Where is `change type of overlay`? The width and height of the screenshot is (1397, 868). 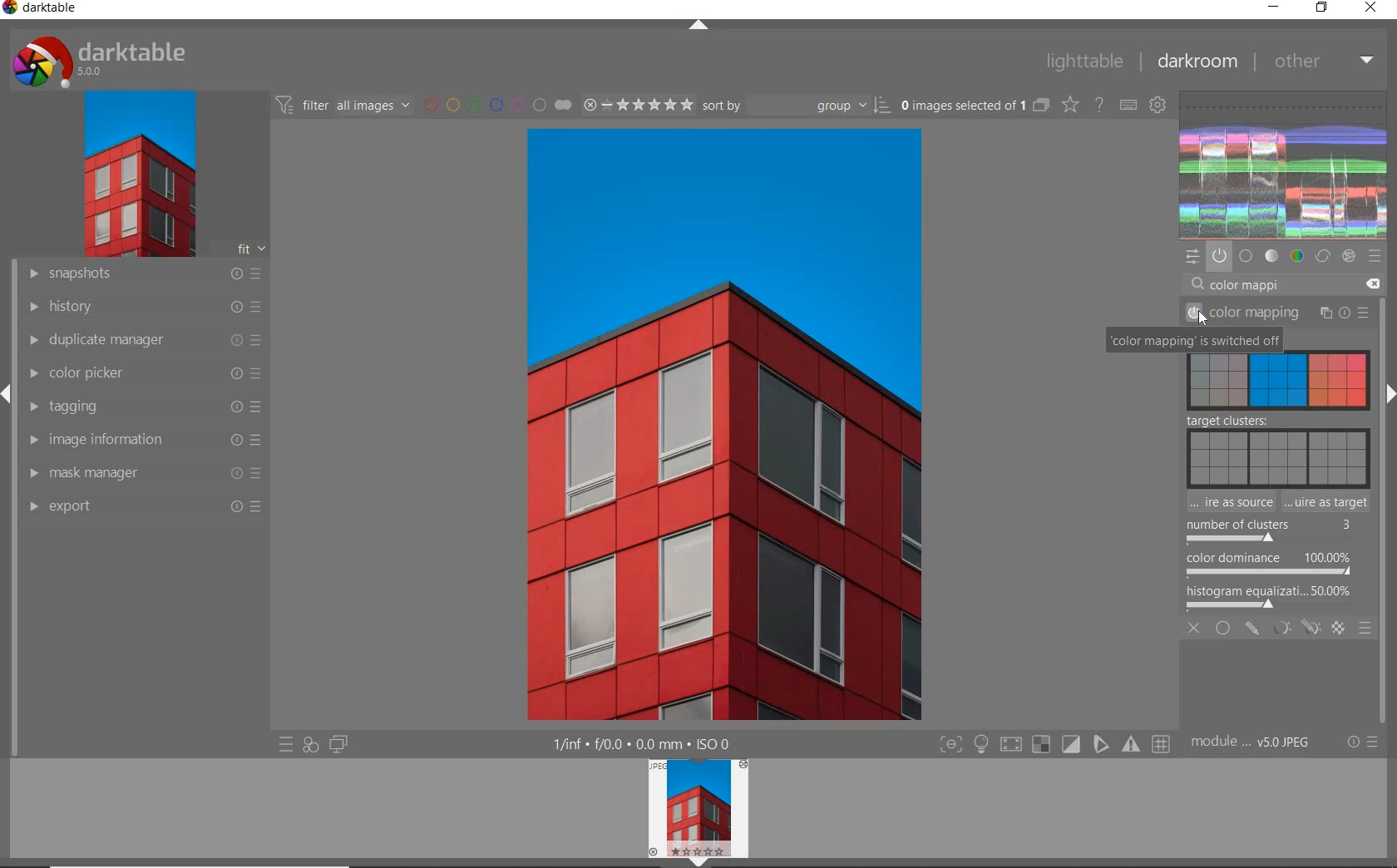
change type of overlay is located at coordinates (1069, 105).